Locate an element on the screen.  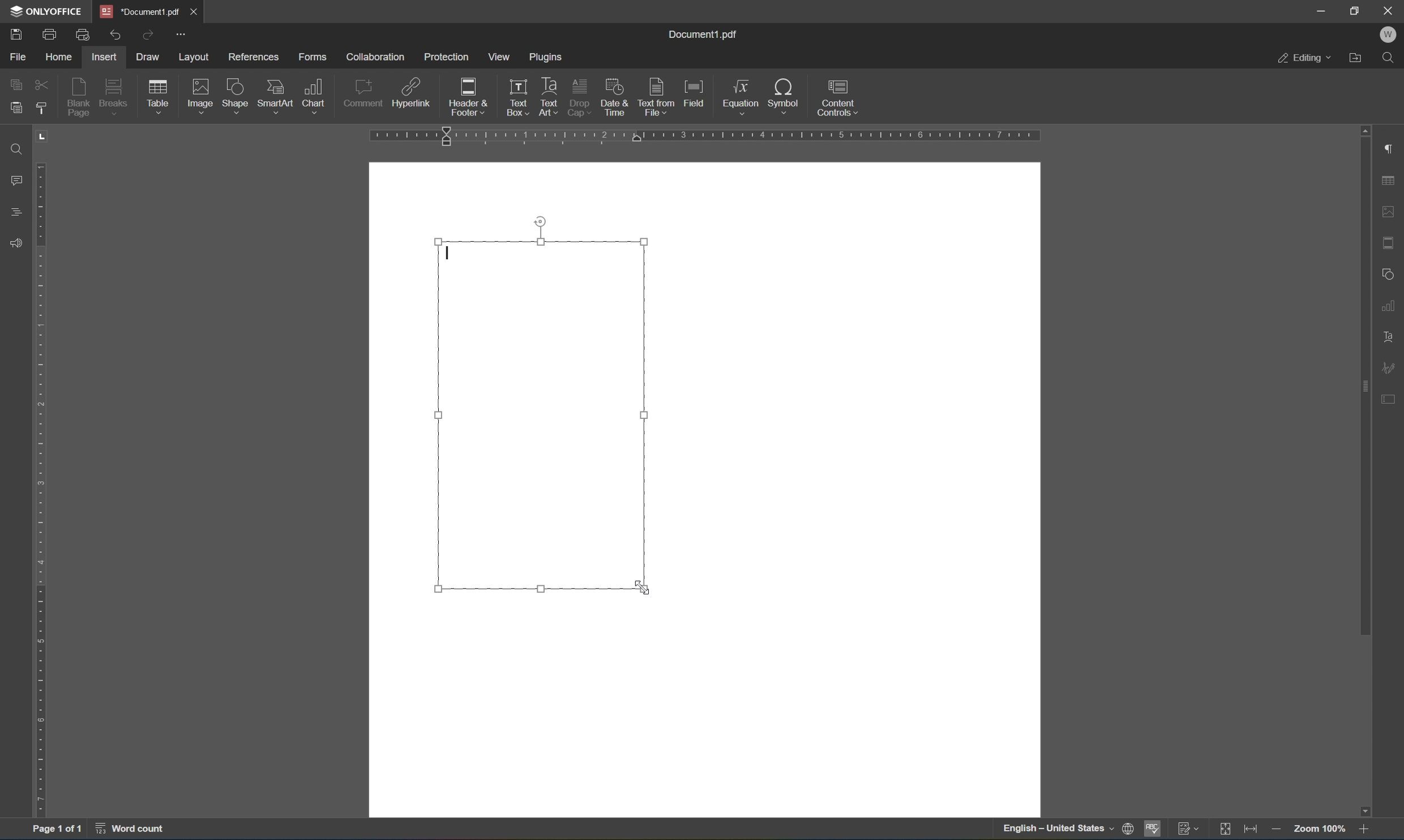
blank page is located at coordinates (79, 96).